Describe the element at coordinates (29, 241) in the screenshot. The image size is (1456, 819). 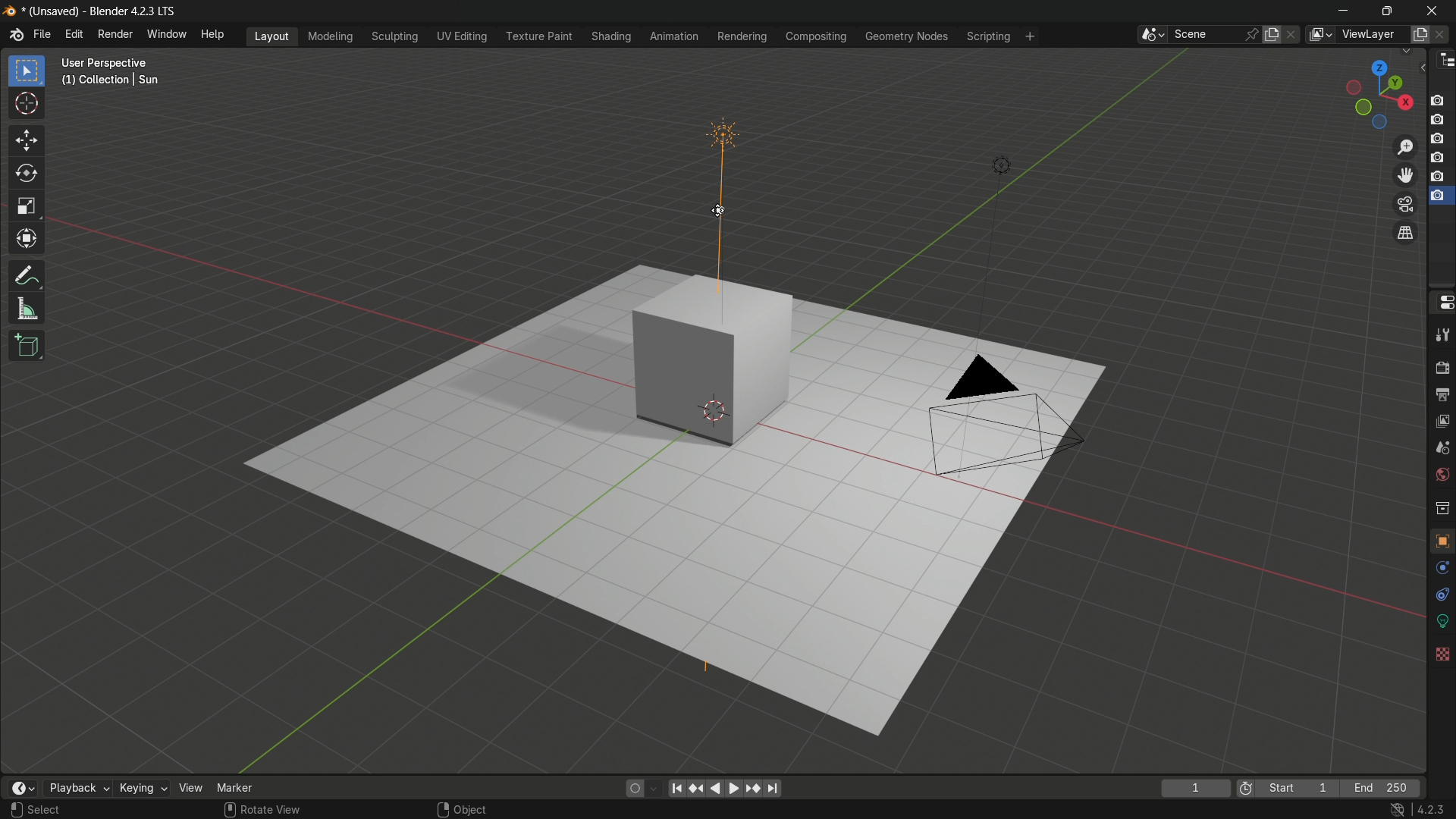
I see `transform` at that location.